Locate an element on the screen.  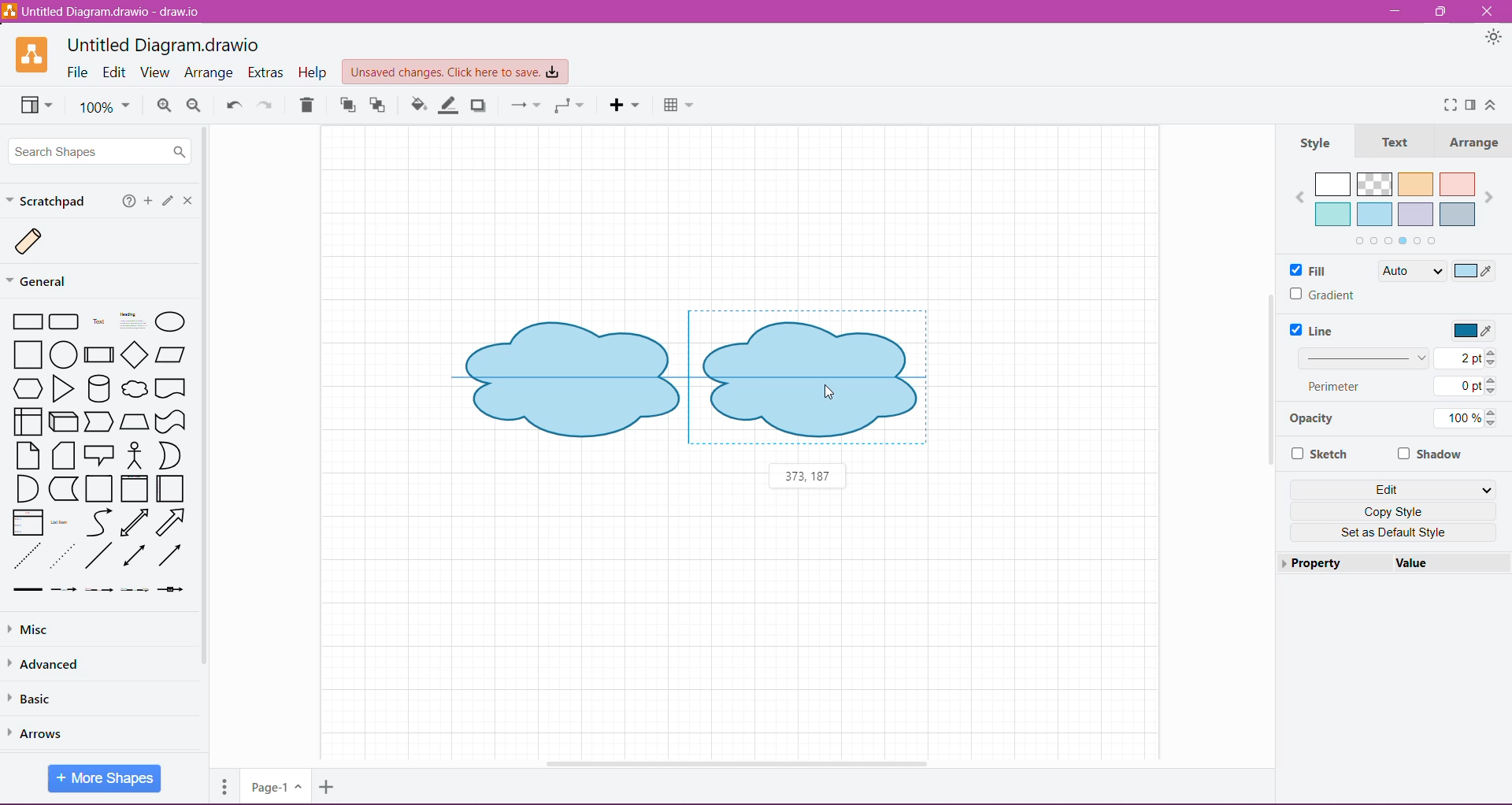
Insert is located at coordinates (625, 106).